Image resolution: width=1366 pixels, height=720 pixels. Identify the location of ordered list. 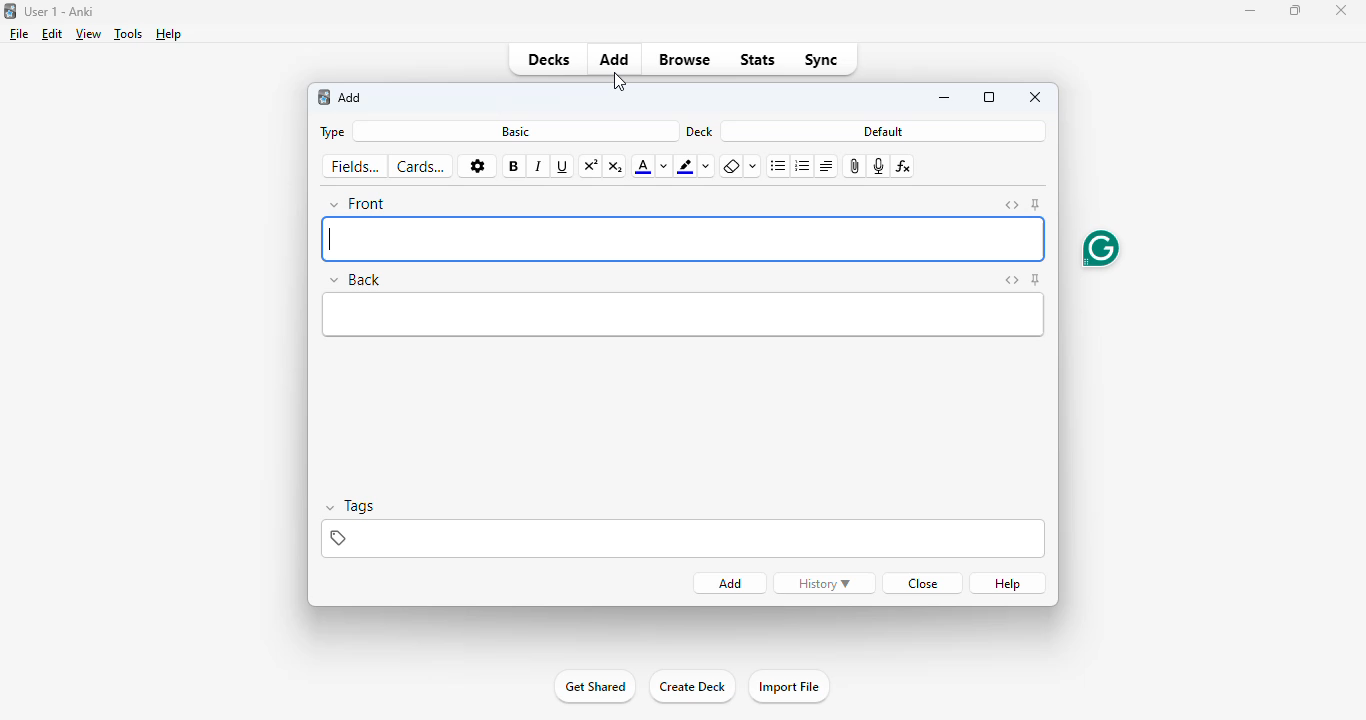
(803, 166).